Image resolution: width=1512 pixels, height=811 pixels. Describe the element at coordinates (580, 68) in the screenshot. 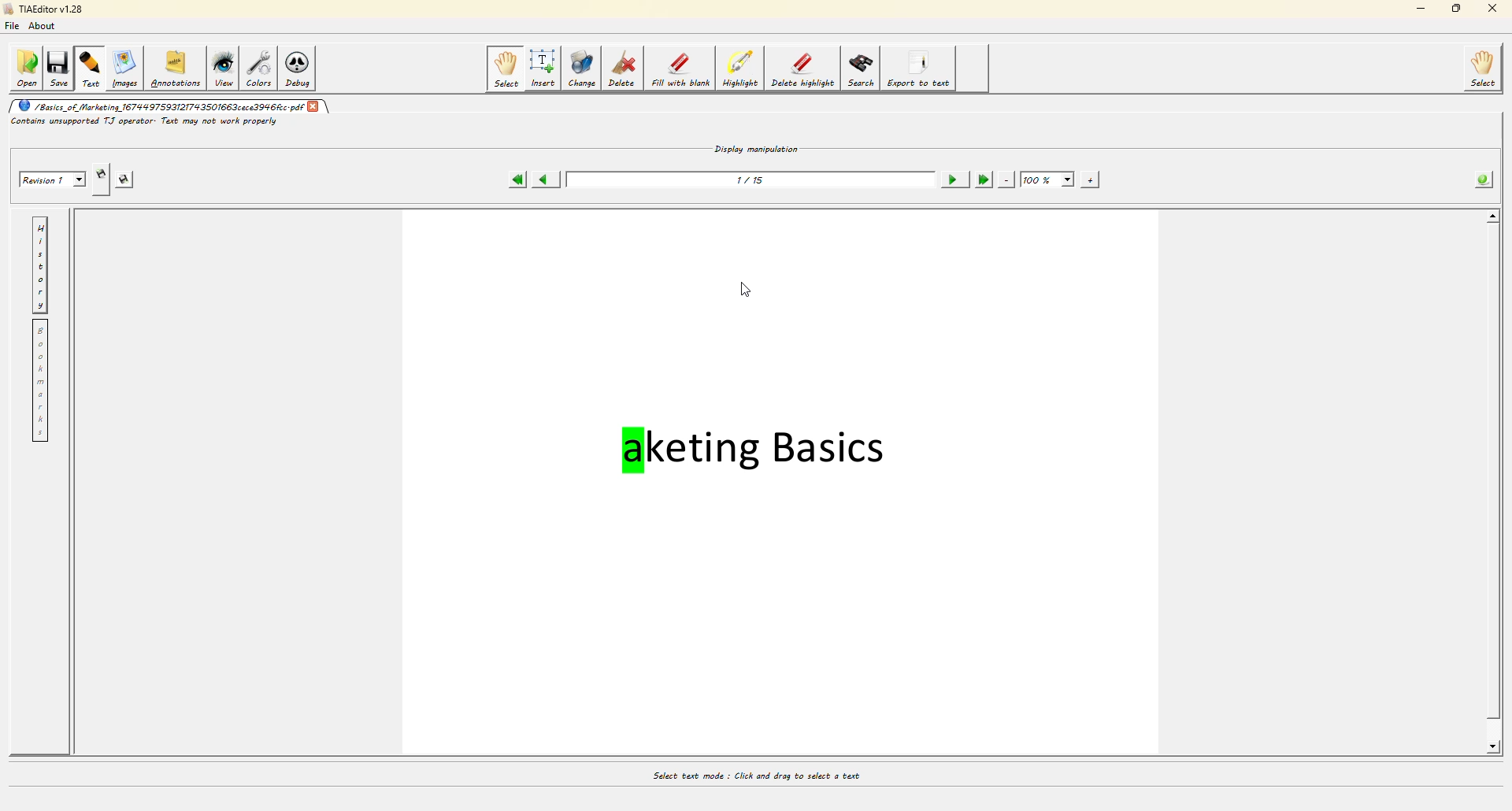

I see `change` at that location.